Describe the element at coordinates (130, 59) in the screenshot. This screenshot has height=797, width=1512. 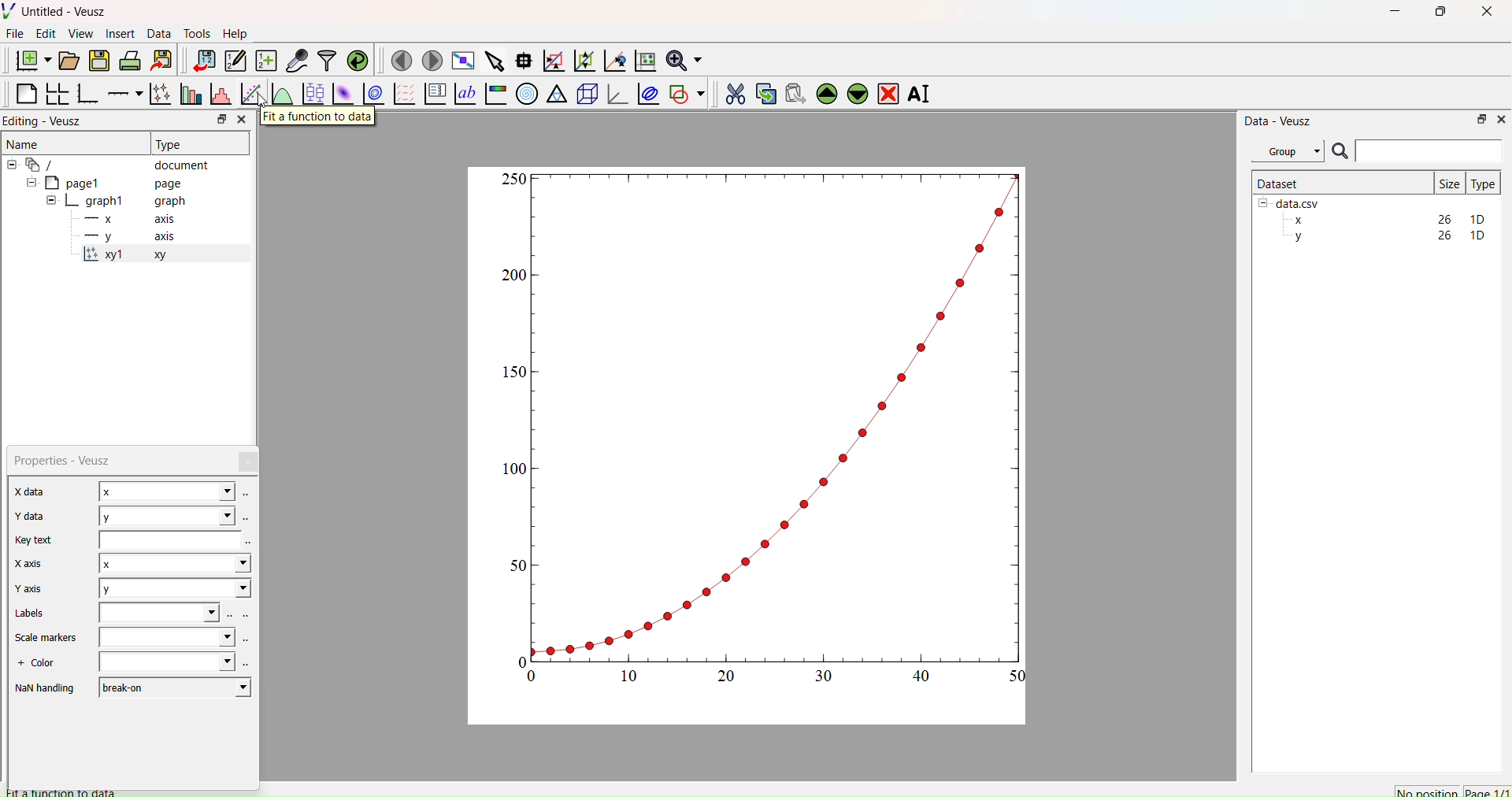
I see `Print the document` at that location.